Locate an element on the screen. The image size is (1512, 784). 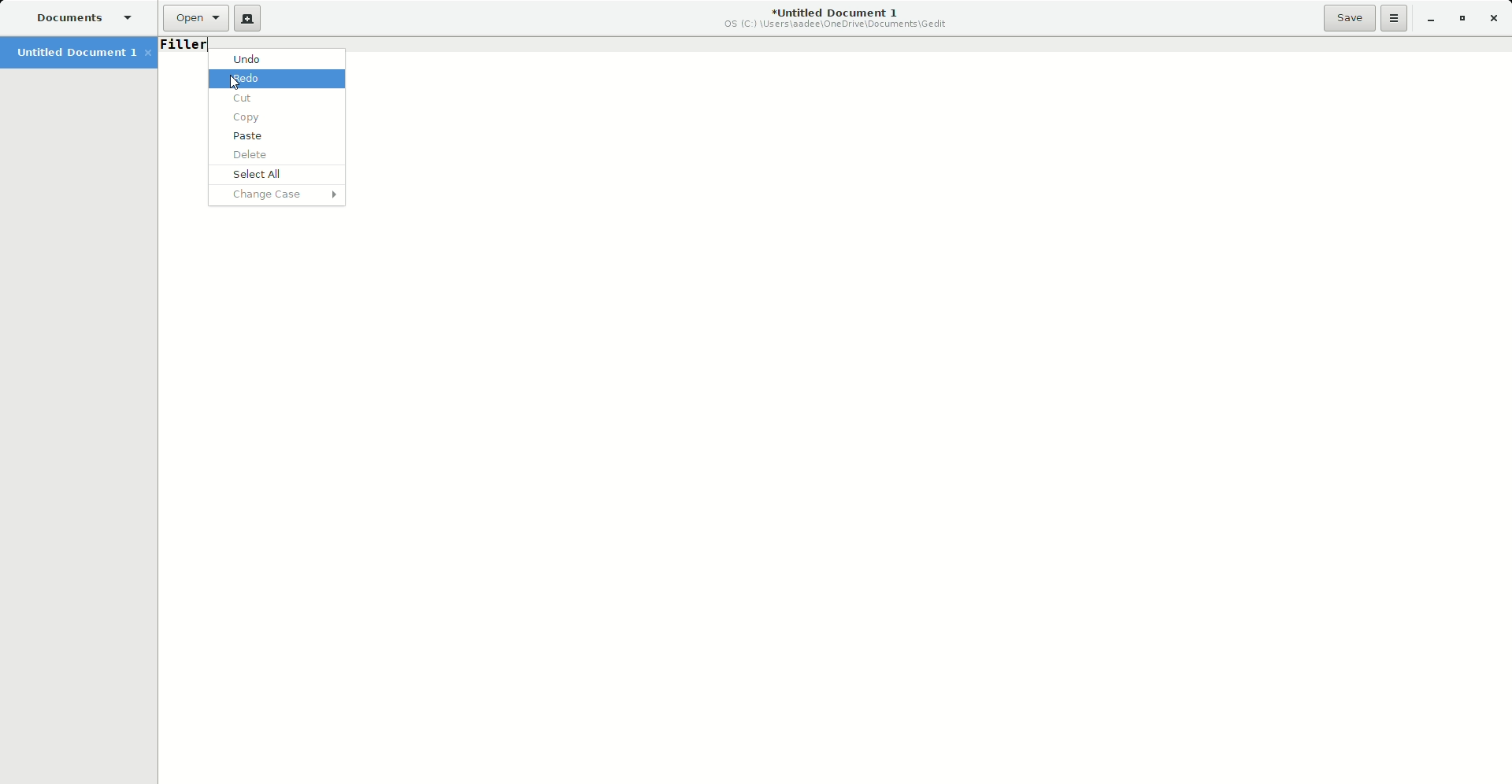
Delete is located at coordinates (280, 156).